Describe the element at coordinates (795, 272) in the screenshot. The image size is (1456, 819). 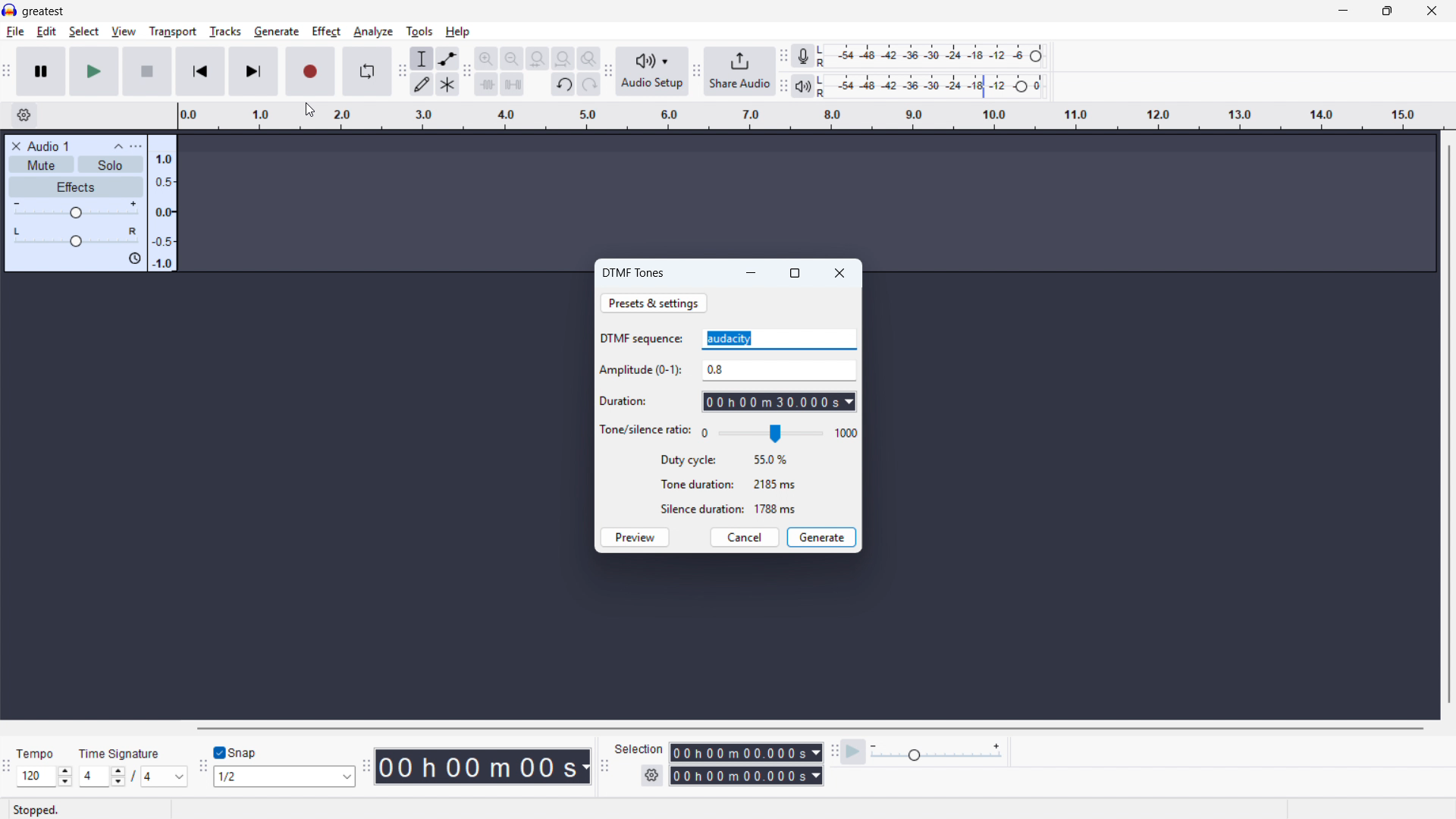
I see `maximise ` at that location.